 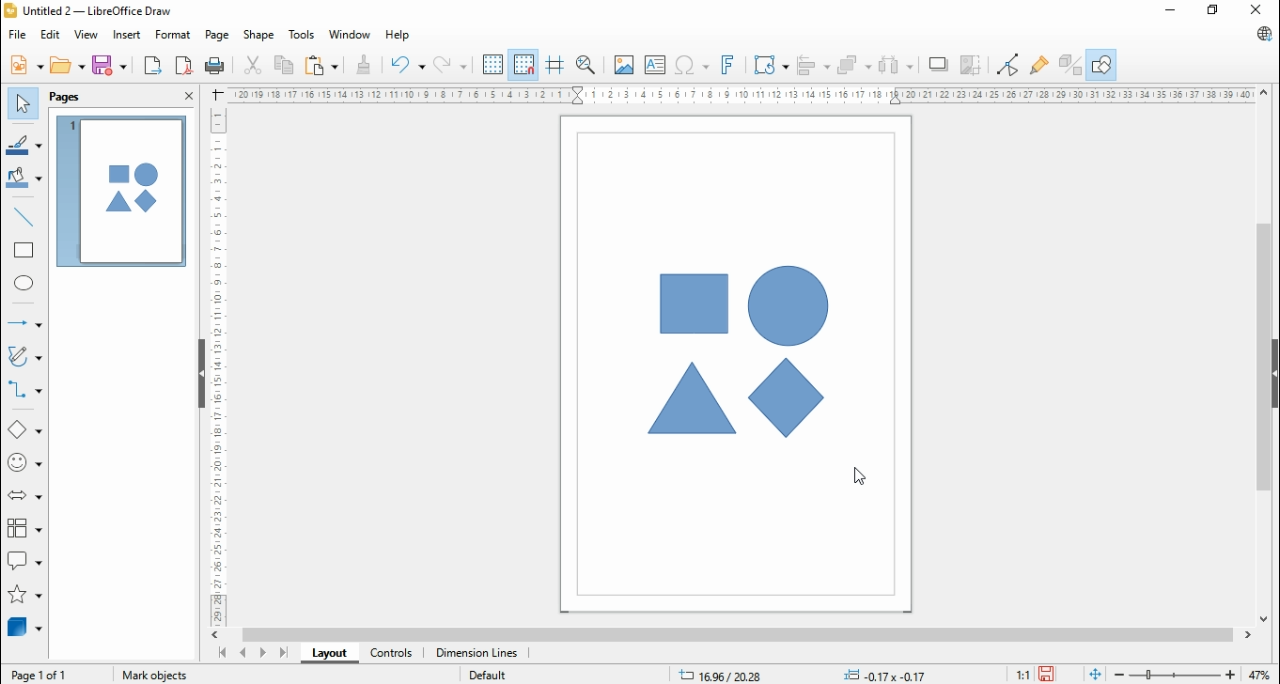 What do you see at coordinates (1260, 9) in the screenshot?
I see `close window` at bounding box center [1260, 9].